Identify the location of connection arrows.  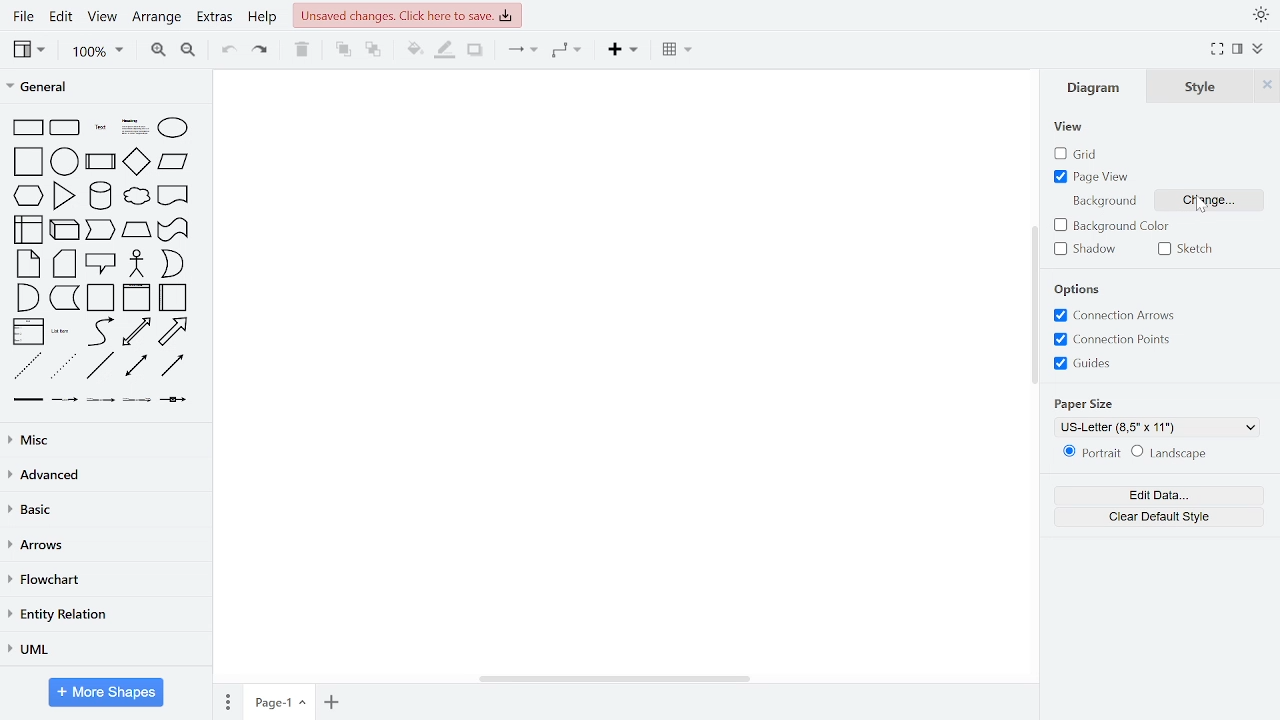
(1119, 316).